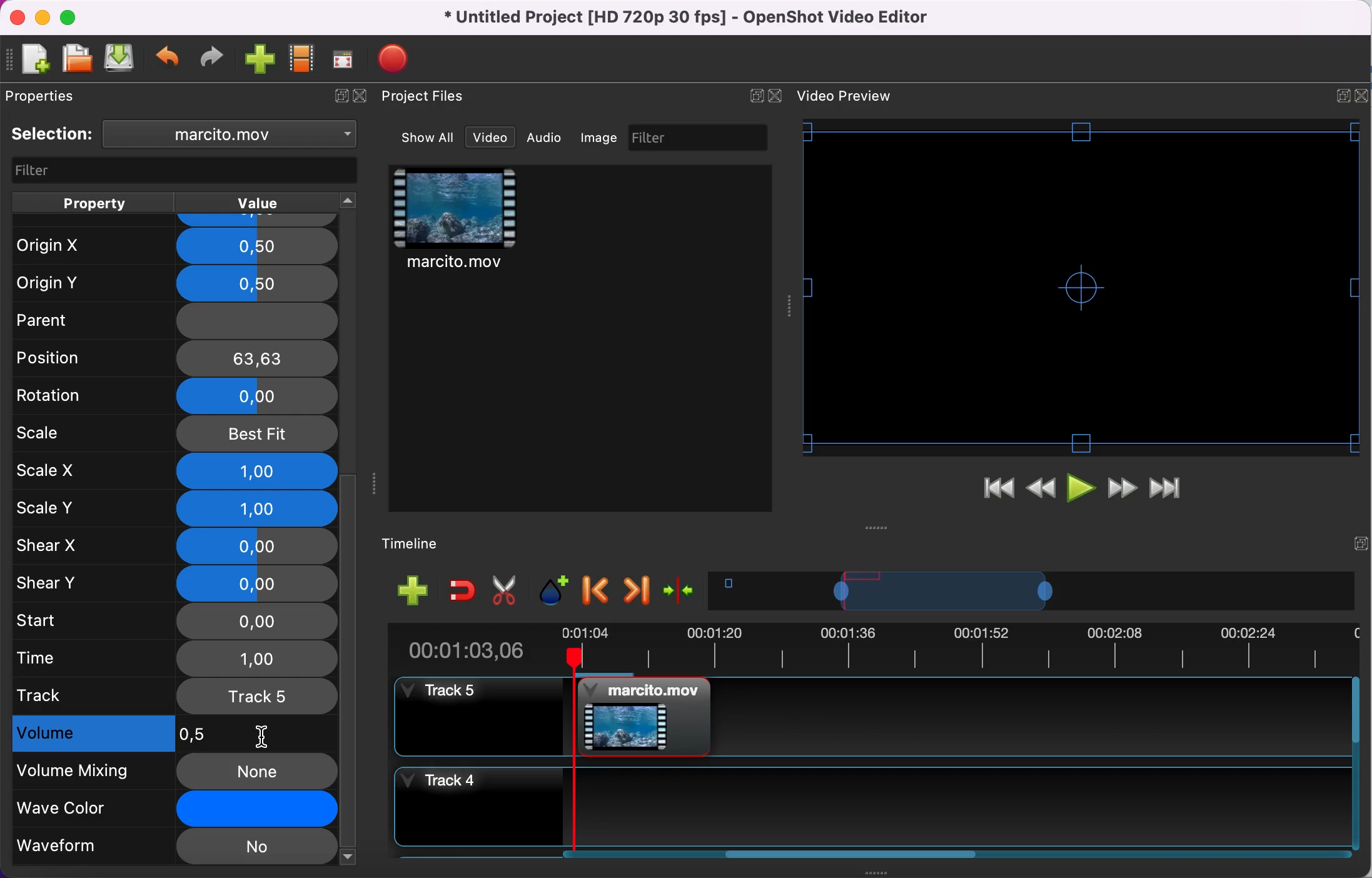 This screenshot has height=878, width=1372. What do you see at coordinates (1166, 490) in the screenshot?
I see `jump to end` at bounding box center [1166, 490].